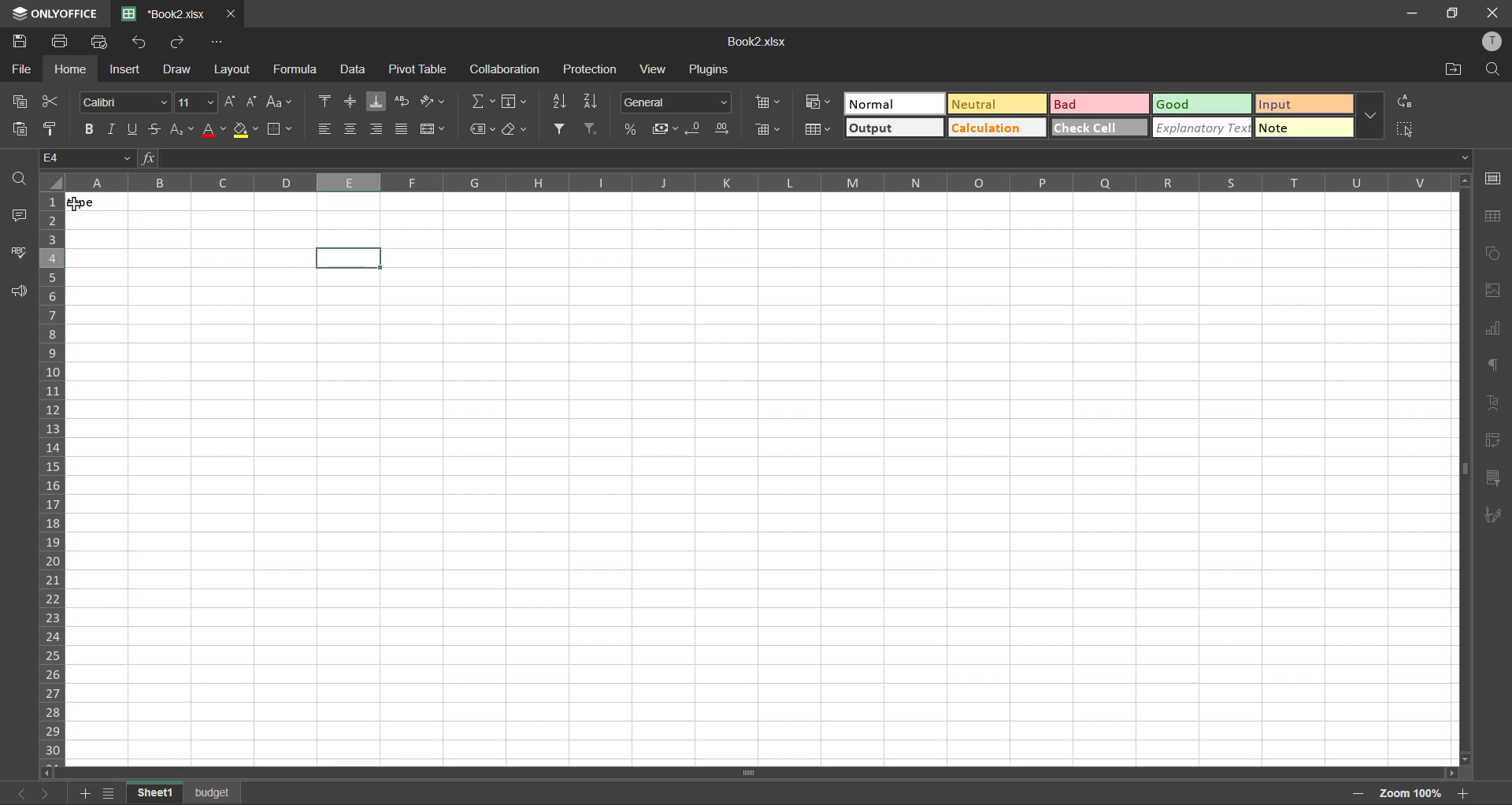 This screenshot has width=1512, height=805. I want to click on accounting, so click(663, 128).